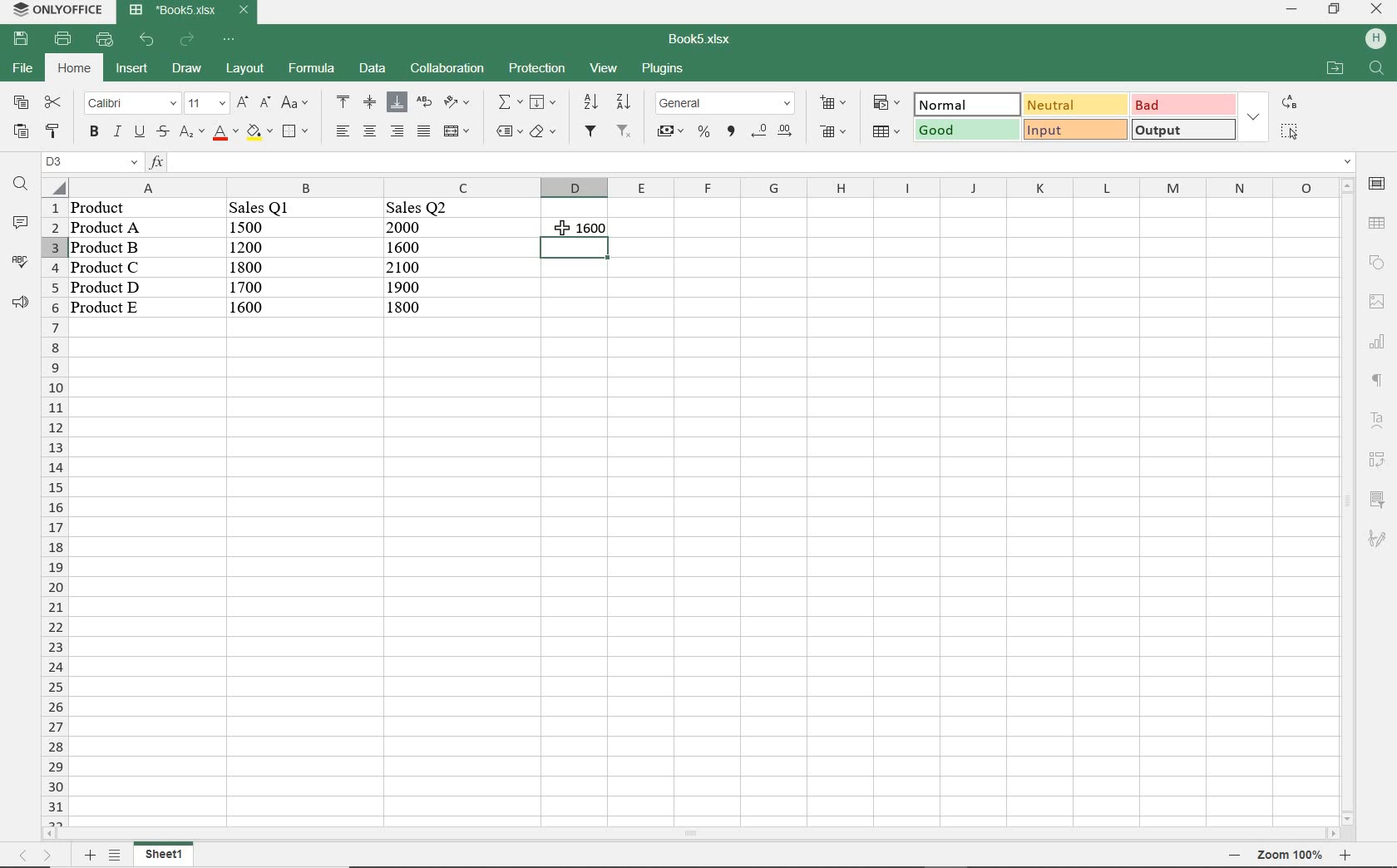 Image resolution: width=1397 pixels, height=868 pixels. Describe the element at coordinates (1346, 501) in the screenshot. I see `scrollbar` at that location.